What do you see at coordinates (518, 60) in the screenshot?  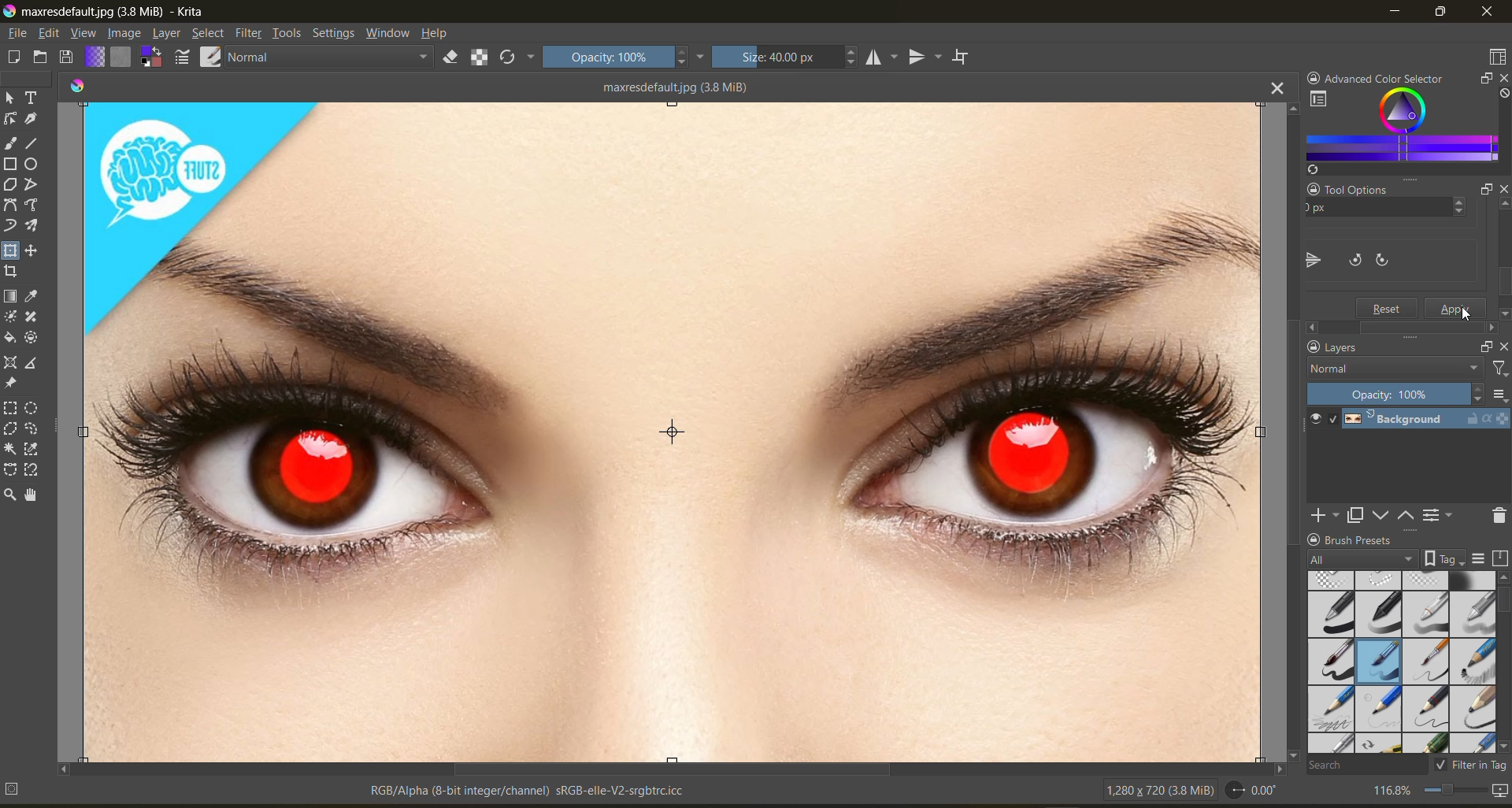 I see `reload original preset` at bounding box center [518, 60].